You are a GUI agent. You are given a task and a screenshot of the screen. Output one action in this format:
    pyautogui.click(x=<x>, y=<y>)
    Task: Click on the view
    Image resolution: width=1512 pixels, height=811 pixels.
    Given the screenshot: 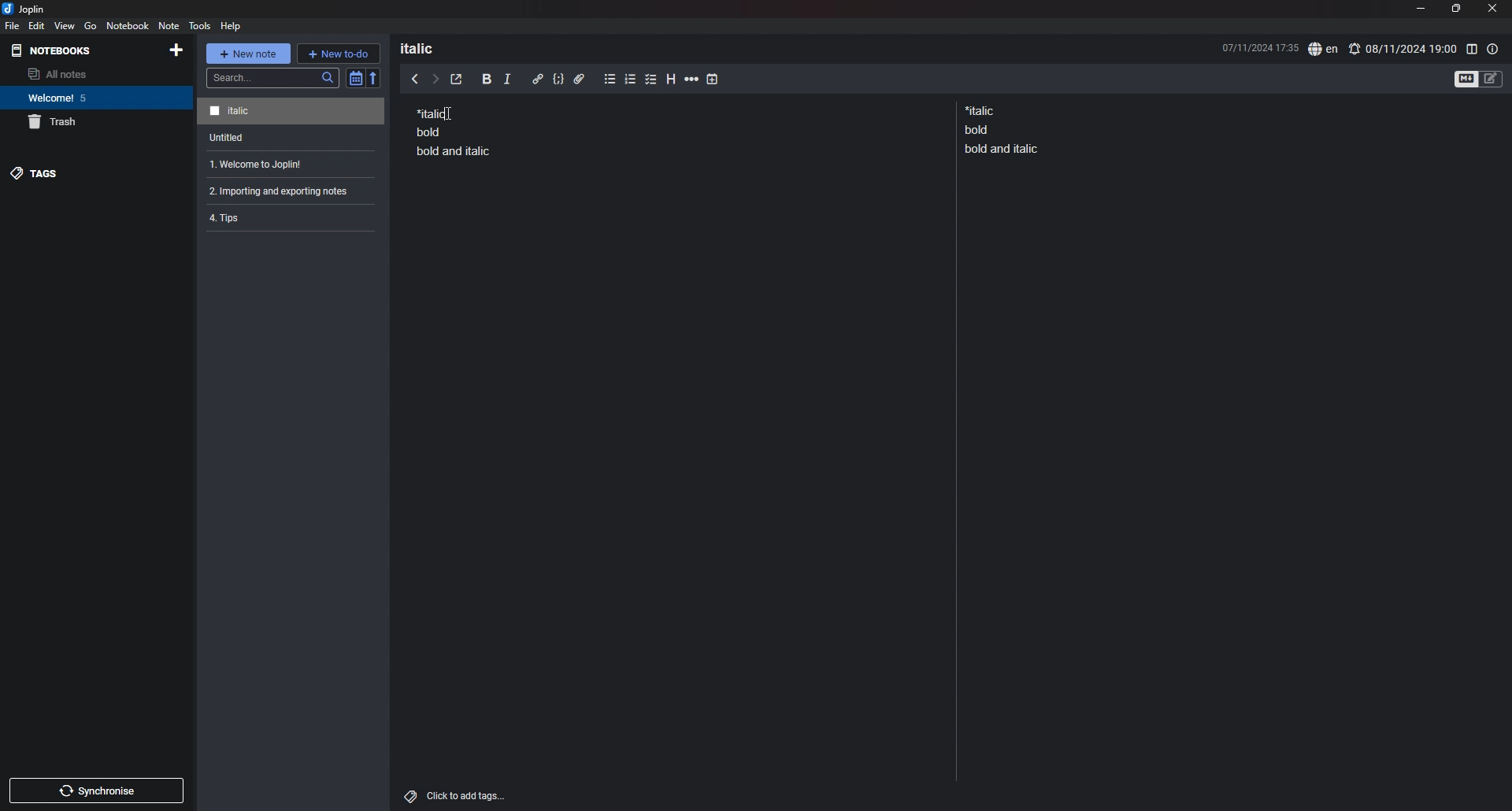 What is the action you would take?
    pyautogui.click(x=65, y=25)
    